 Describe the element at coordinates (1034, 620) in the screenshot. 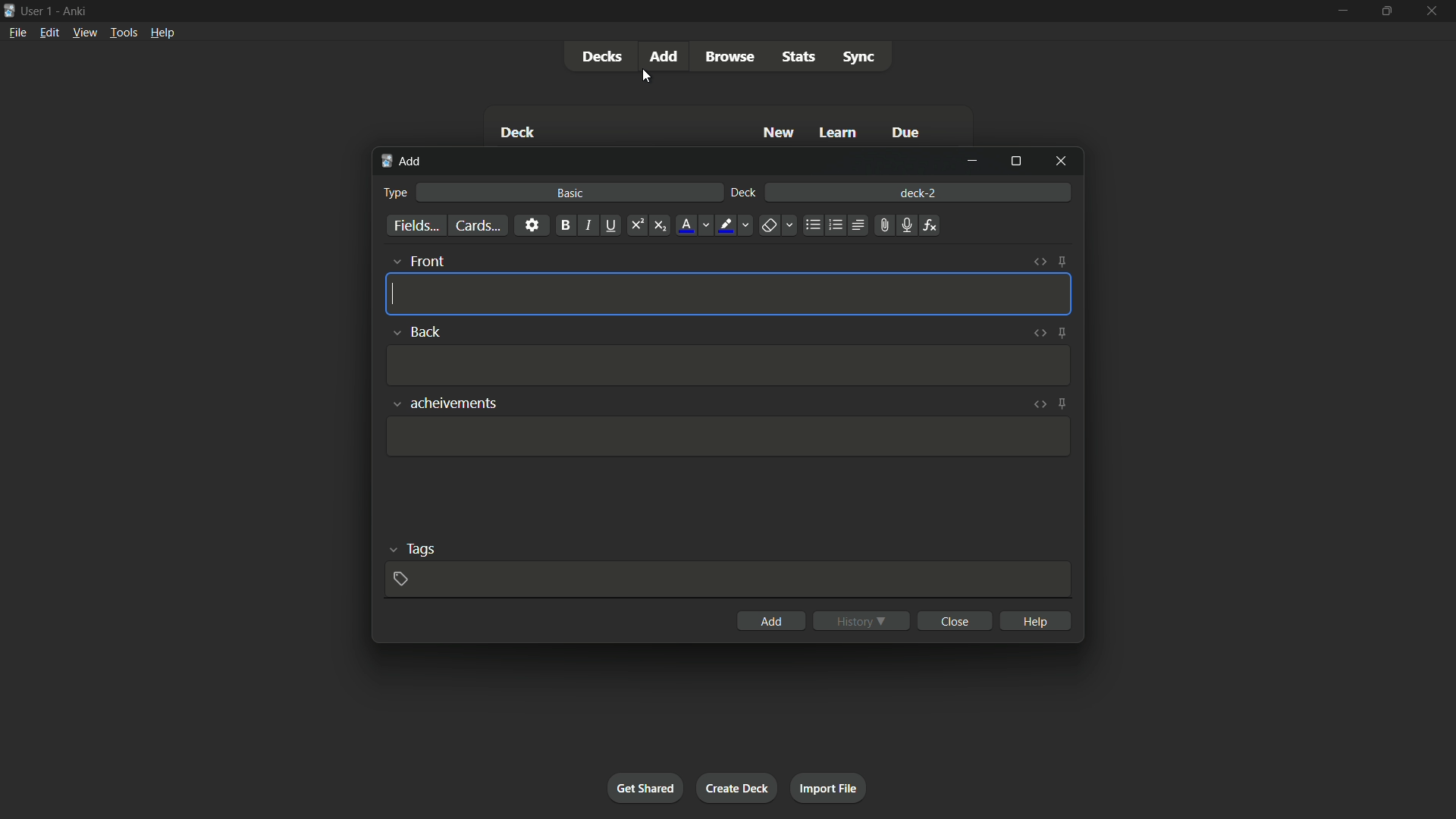

I see `help` at that location.